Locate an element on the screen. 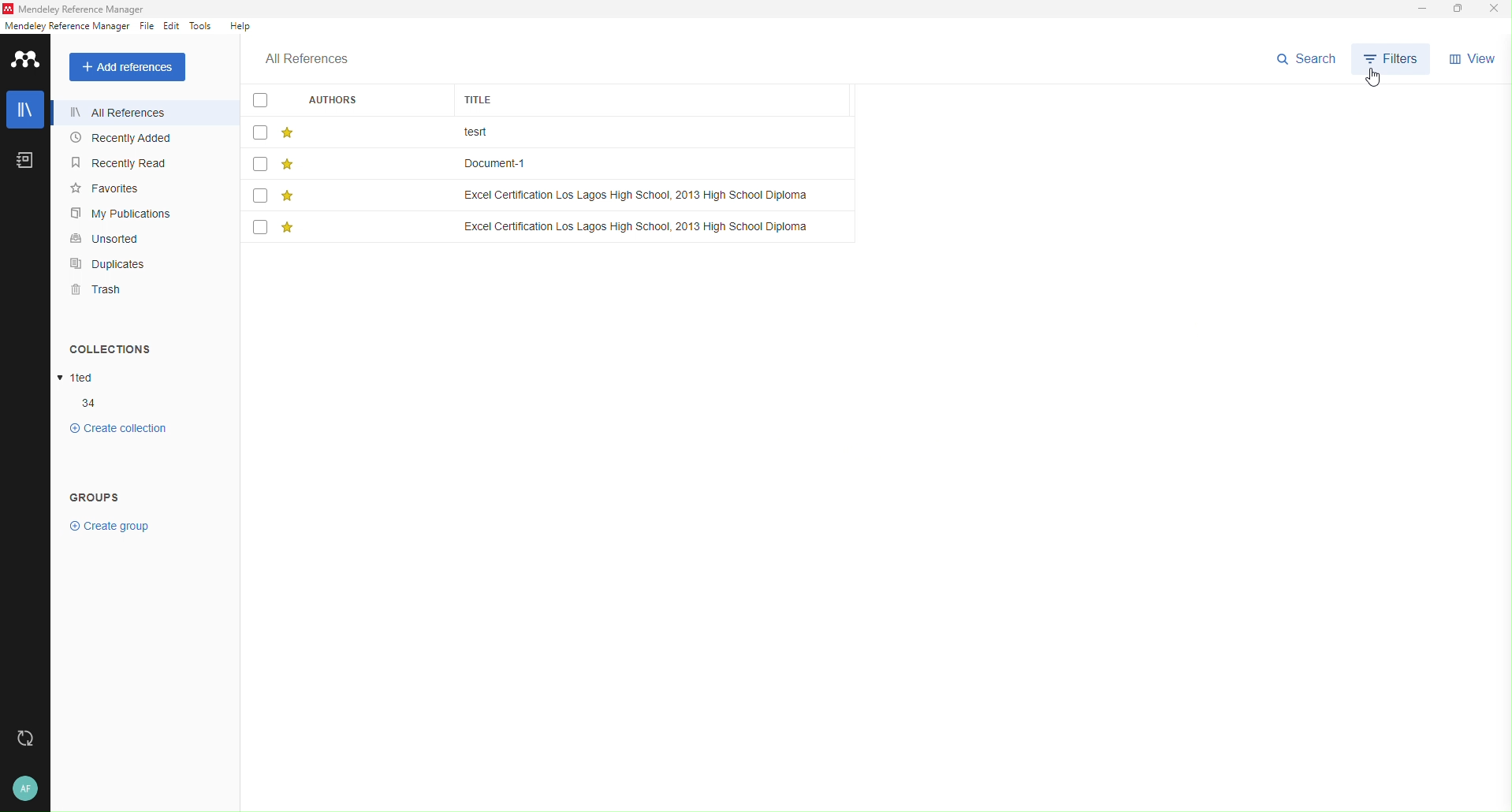 This screenshot has width=1512, height=812. Search is located at coordinates (1307, 58).